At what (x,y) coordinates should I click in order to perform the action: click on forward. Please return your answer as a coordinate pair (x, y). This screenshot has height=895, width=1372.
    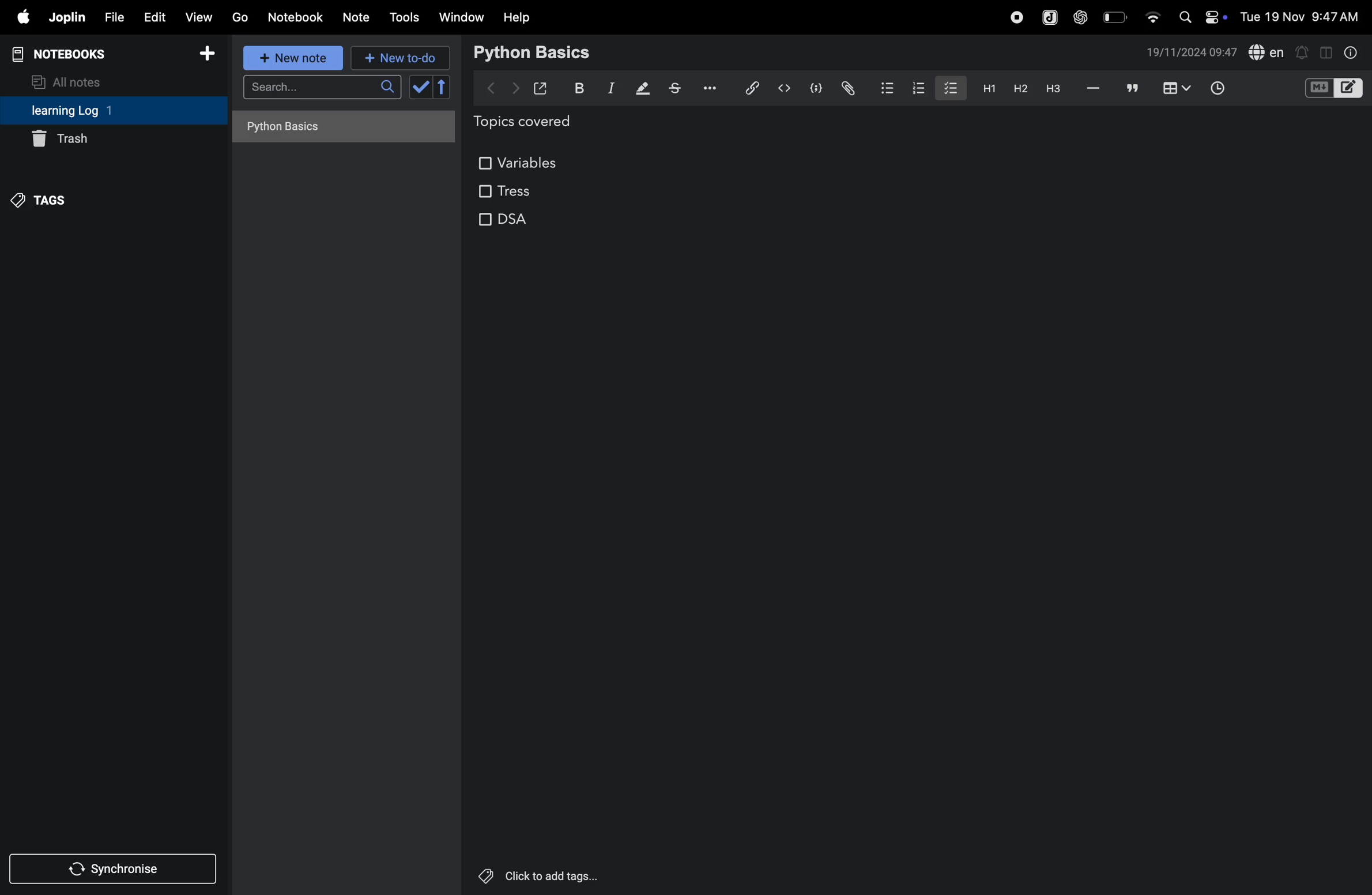
    Looking at the image, I should click on (515, 88).